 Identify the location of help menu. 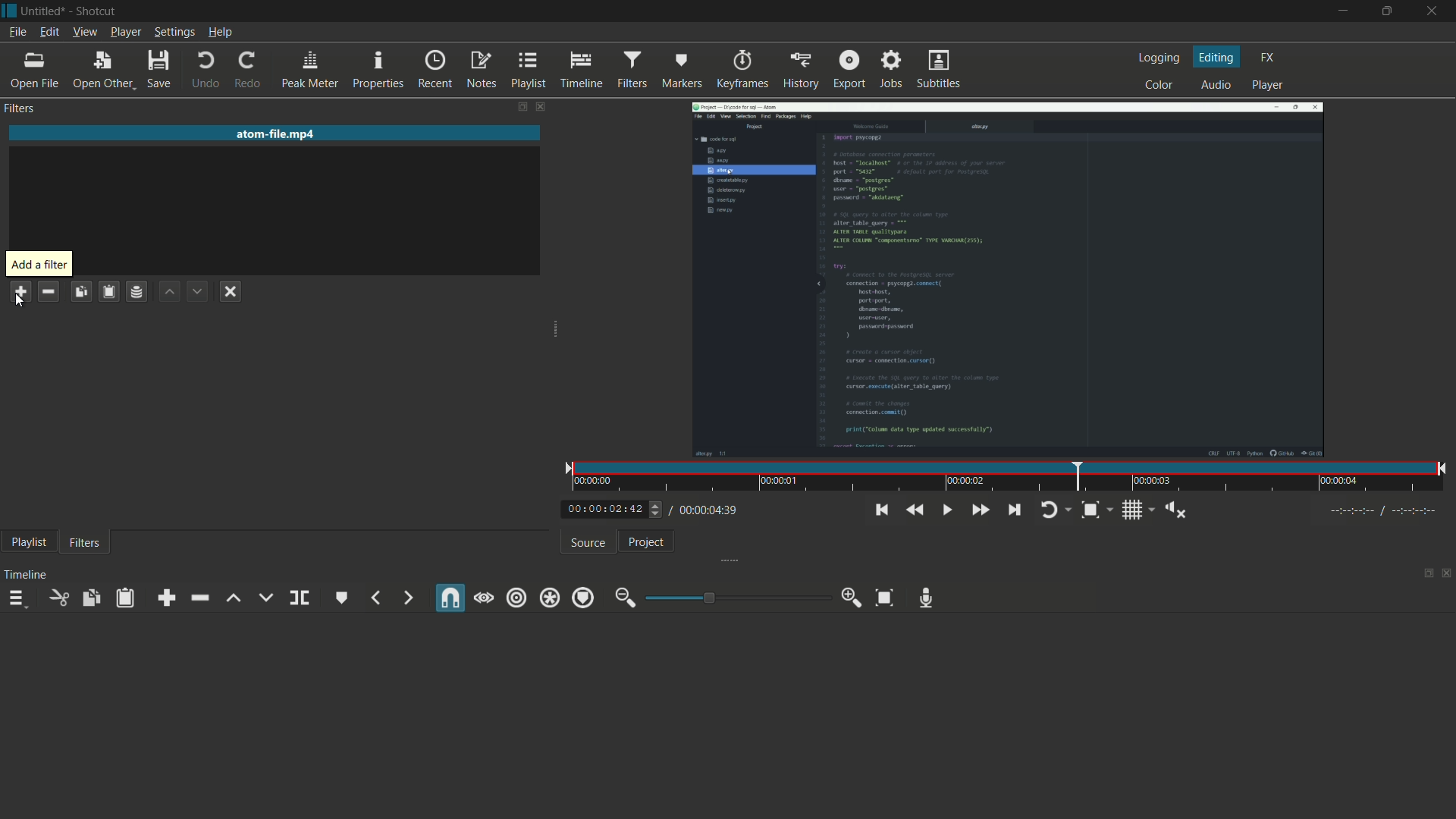
(221, 33).